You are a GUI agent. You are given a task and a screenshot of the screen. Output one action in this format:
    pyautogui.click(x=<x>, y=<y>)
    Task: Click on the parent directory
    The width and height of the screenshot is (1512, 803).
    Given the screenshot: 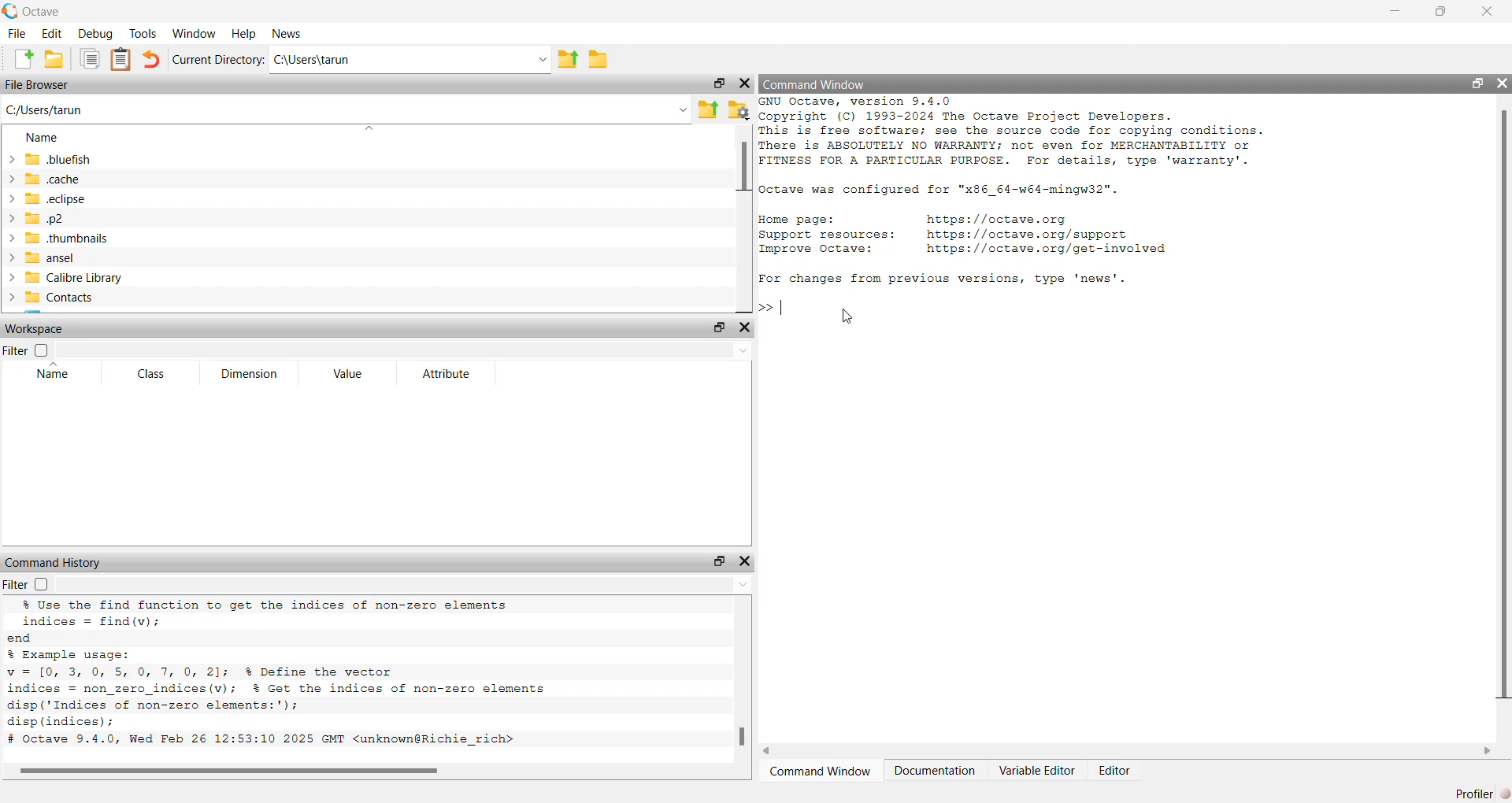 What is the action you would take?
    pyautogui.click(x=569, y=58)
    